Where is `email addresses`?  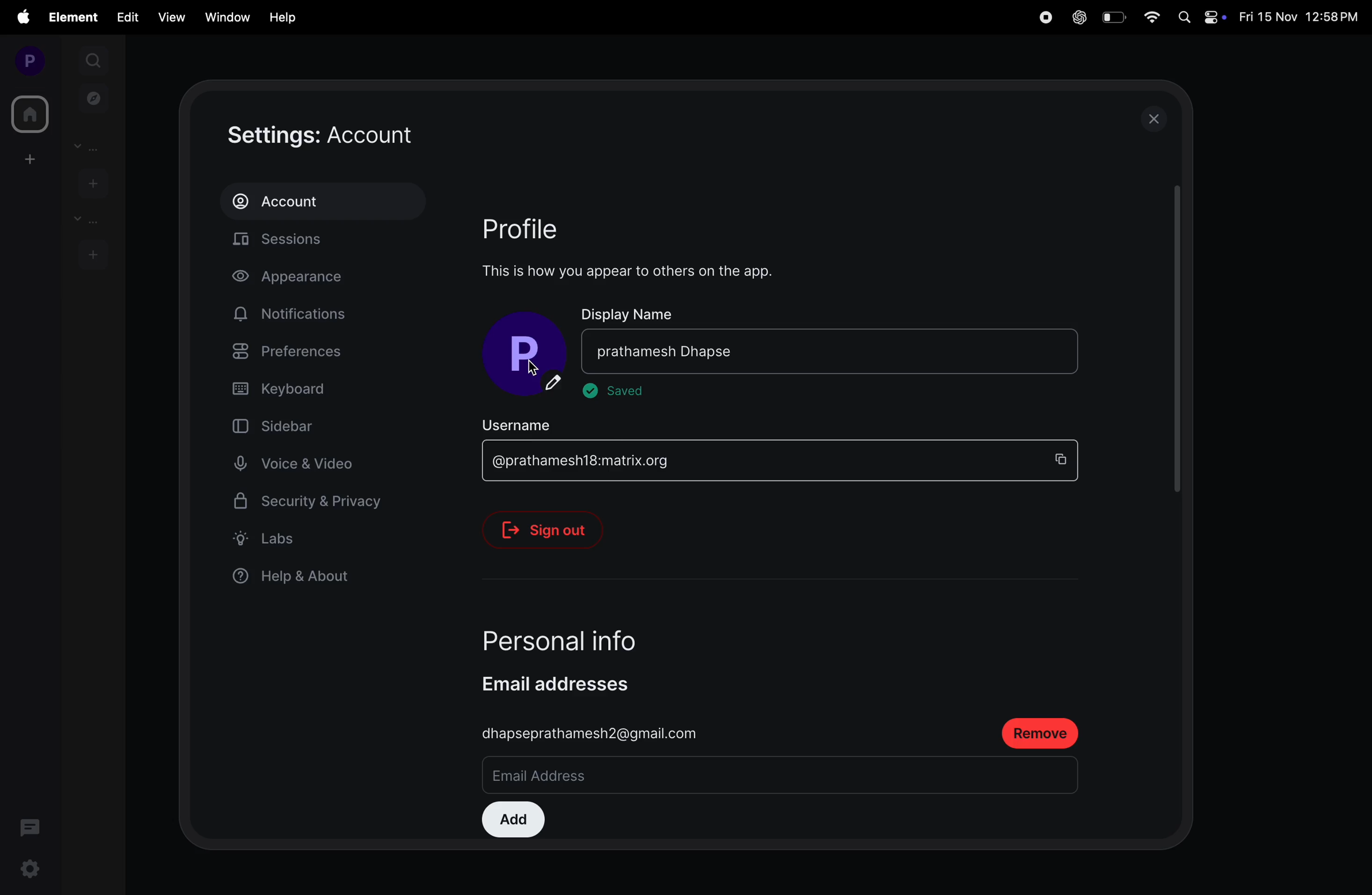 email addresses is located at coordinates (568, 679).